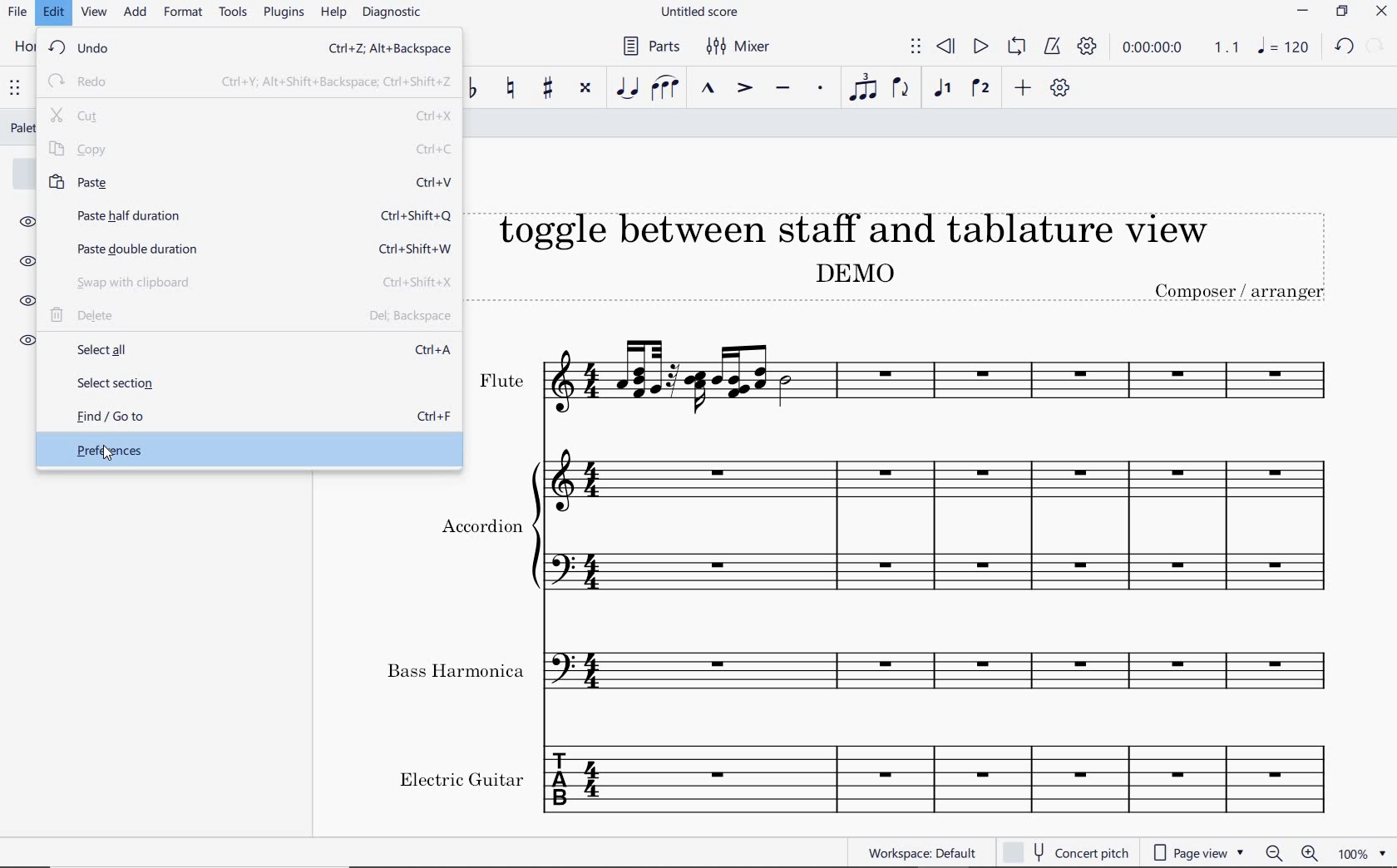 The height and width of the screenshot is (868, 1397). Describe the element at coordinates (921, 377) in the screenshot. I see `Instrument: Flute` at that location.